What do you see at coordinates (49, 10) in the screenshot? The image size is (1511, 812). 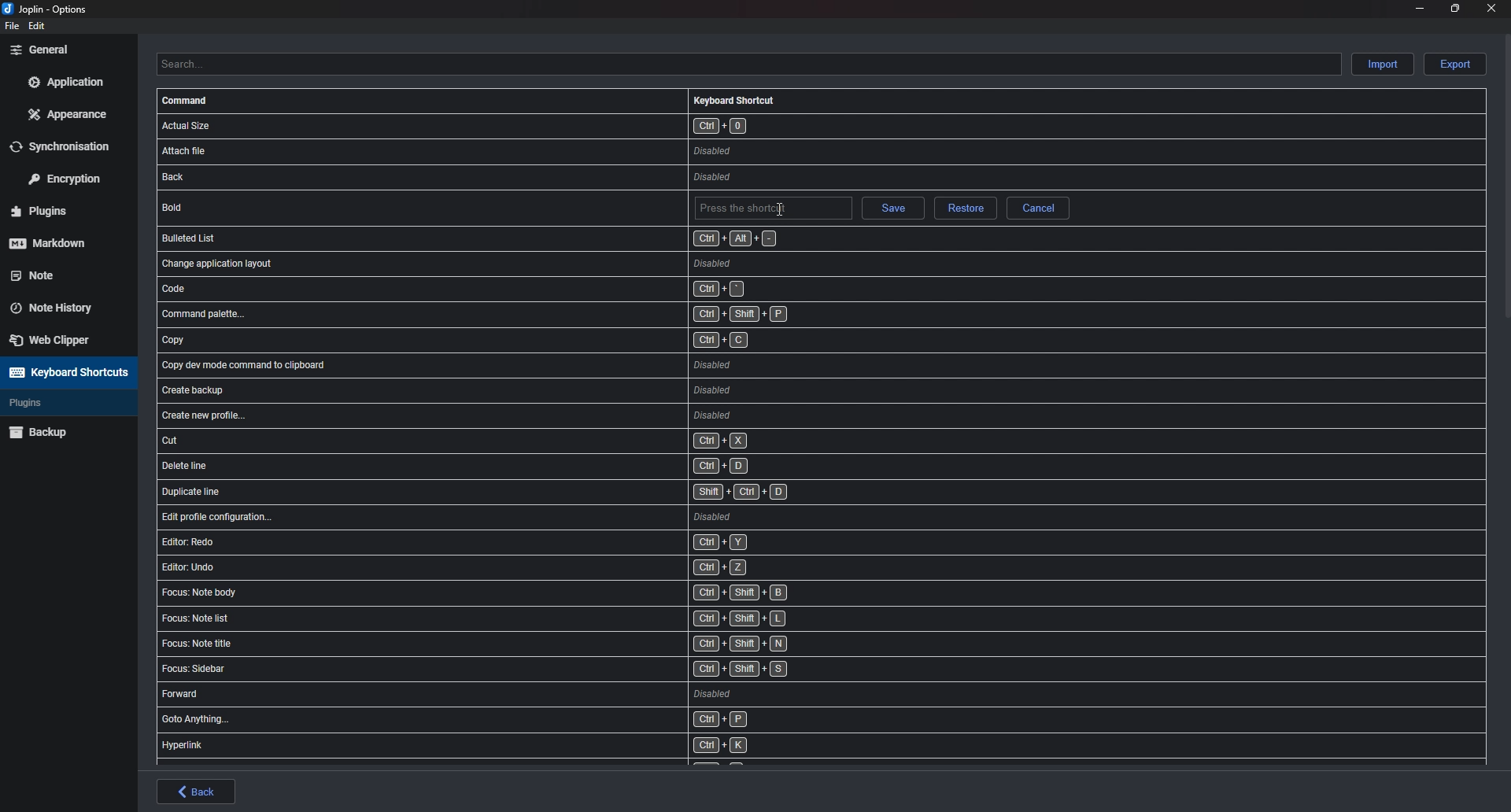 I see `options` at bounding box center [49, 10].